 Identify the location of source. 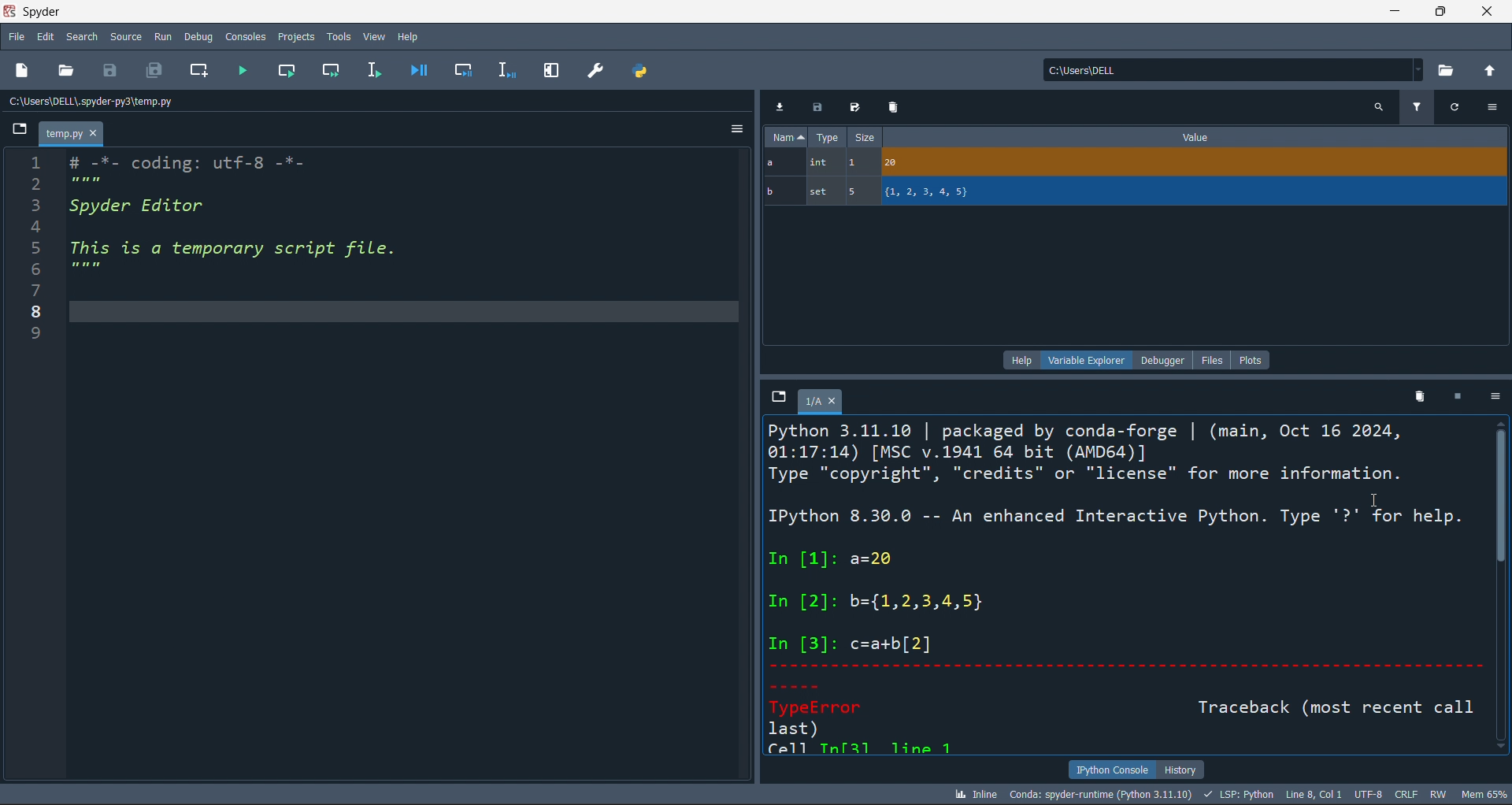
(123, 39).